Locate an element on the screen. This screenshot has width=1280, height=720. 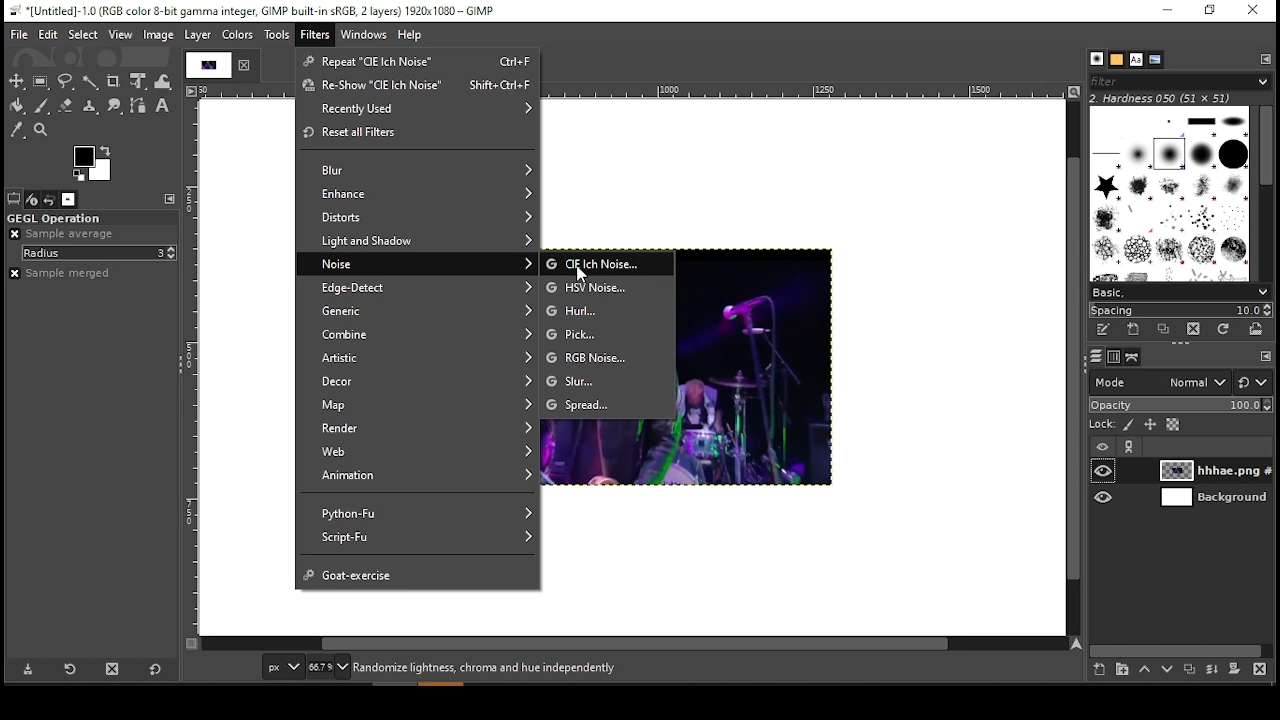
move tool is located at coordinates (17, 81).